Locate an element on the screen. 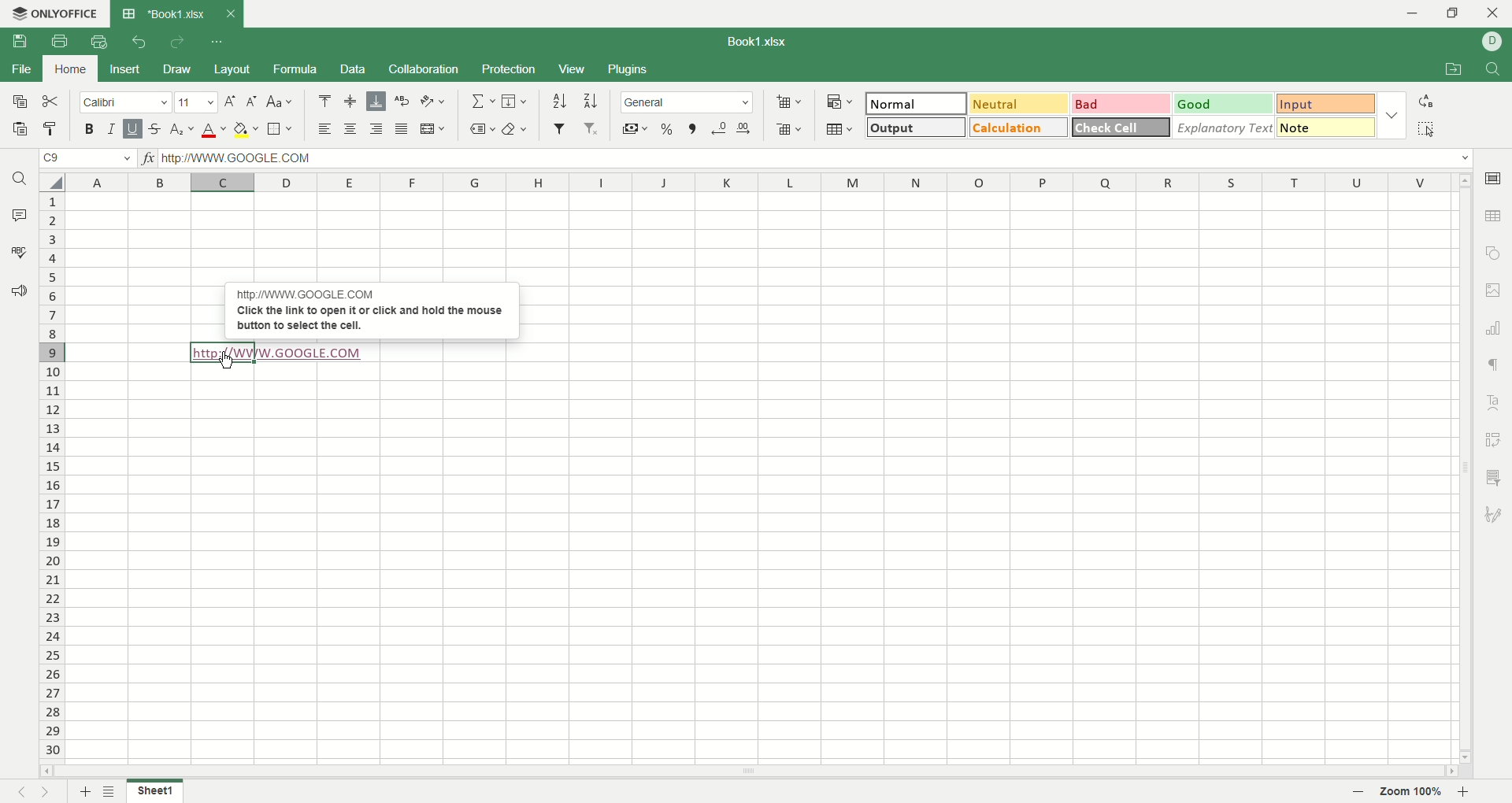 This screenshot has height=803, width=1512. feedback and support is located at coordinates (17, 290).